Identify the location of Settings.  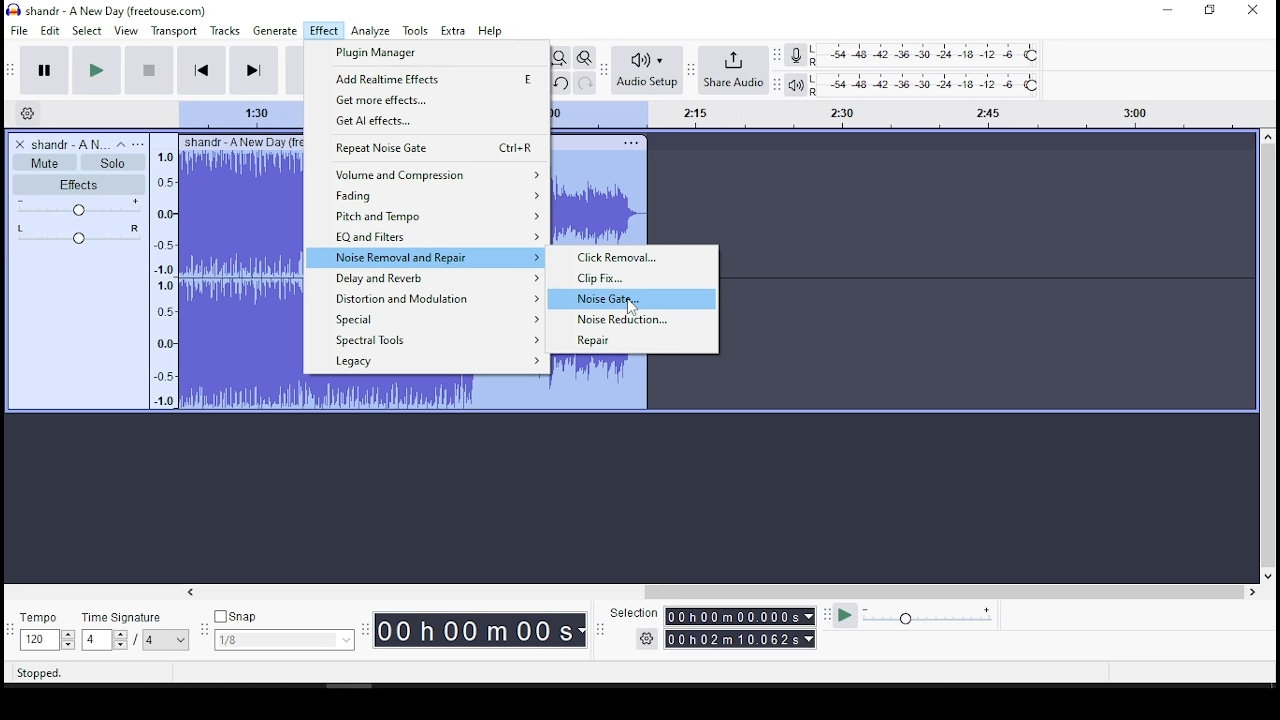
(25, 115).